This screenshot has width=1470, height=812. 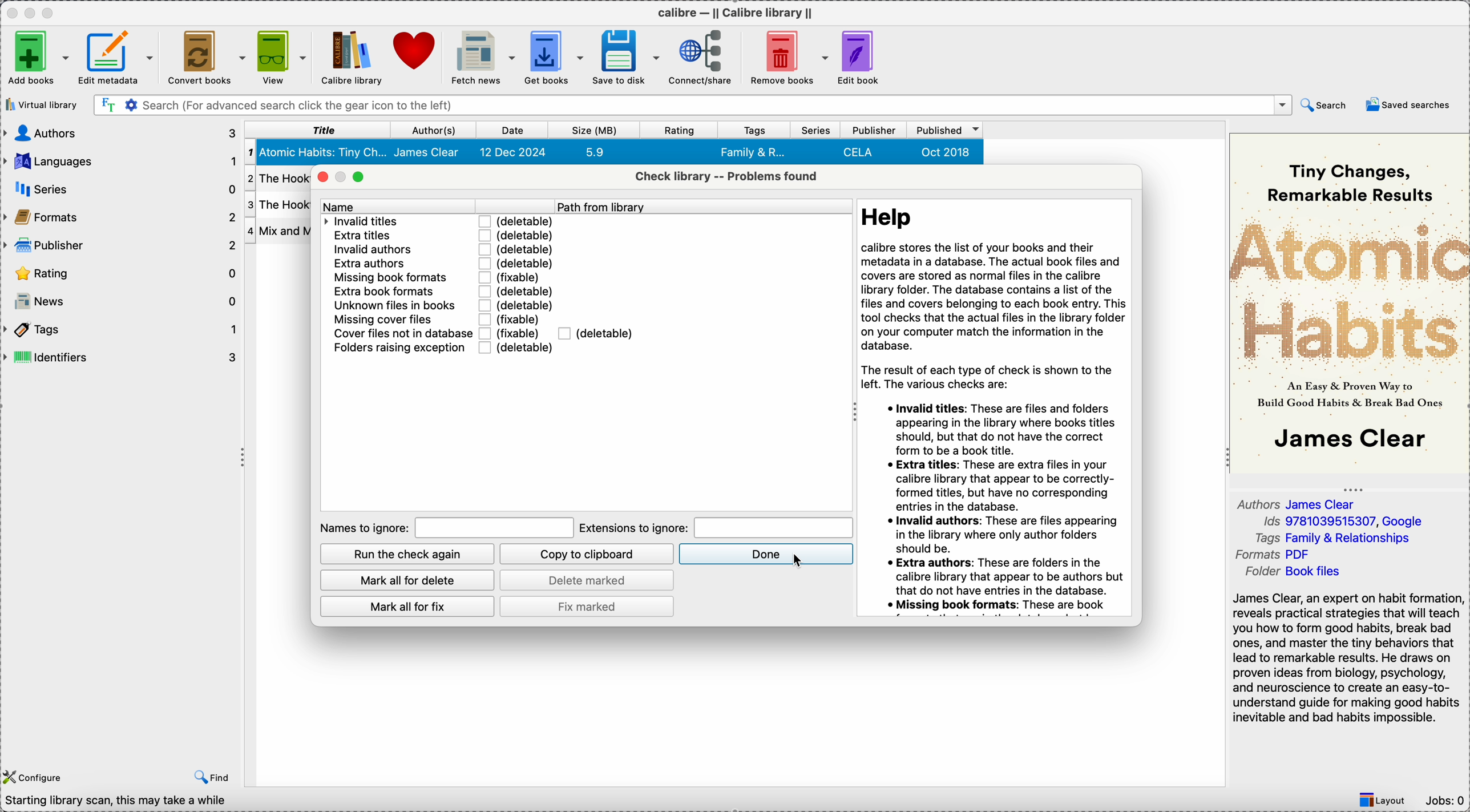 I want to click on publisher, so click(x=875, y=130).